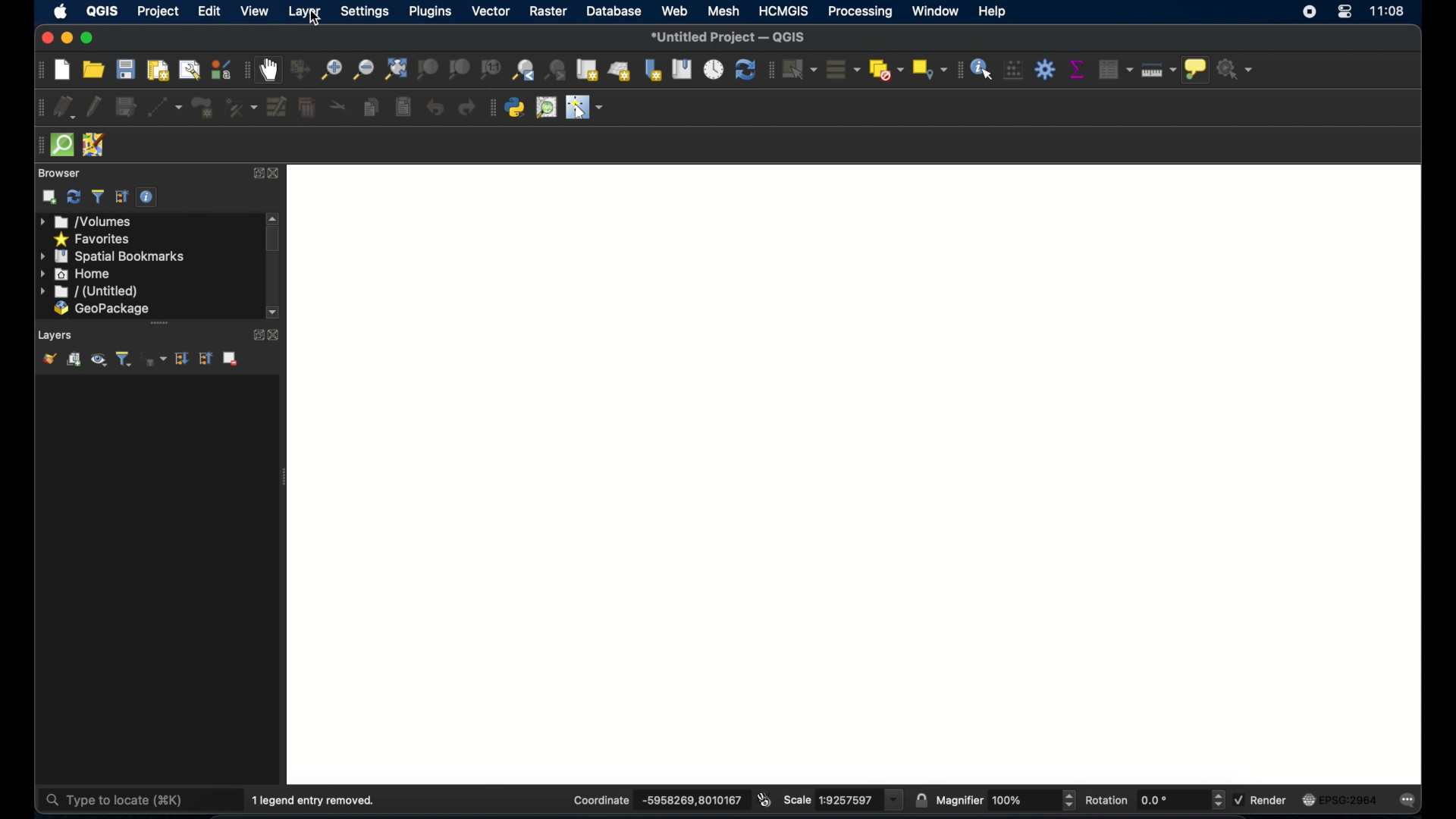 Image resolution: width=1456 pixels, height=819 pixels. What do you see at coordinates (548, 107) in the screenshot?
I see `osm place search` at bounding box center [548, 107].